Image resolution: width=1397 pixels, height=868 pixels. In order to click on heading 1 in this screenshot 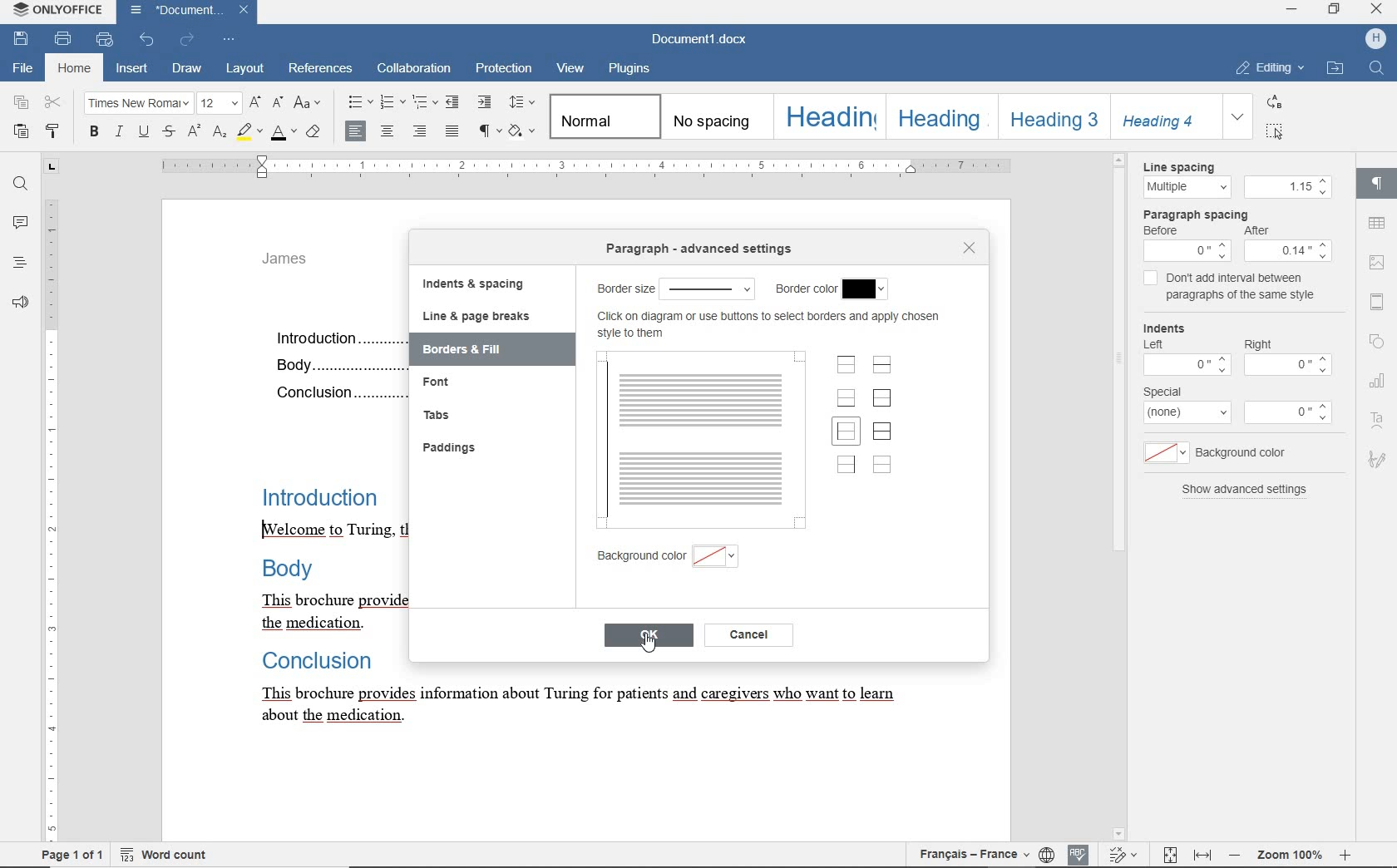, I will do `click(828, 117)`.